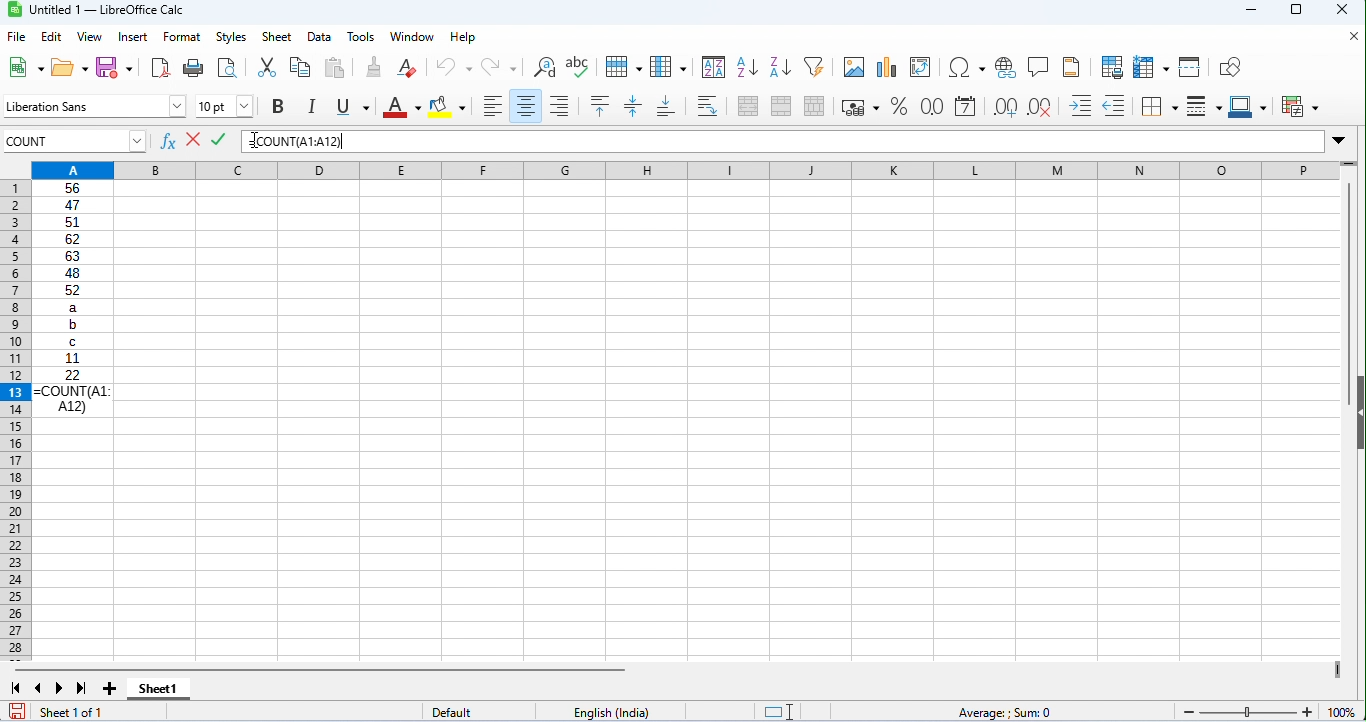 The height and width of the screenshot is (722, 1366). Describe the element at coordinates (967, 68) in the screenshot. I see `insert special characters` at that location.